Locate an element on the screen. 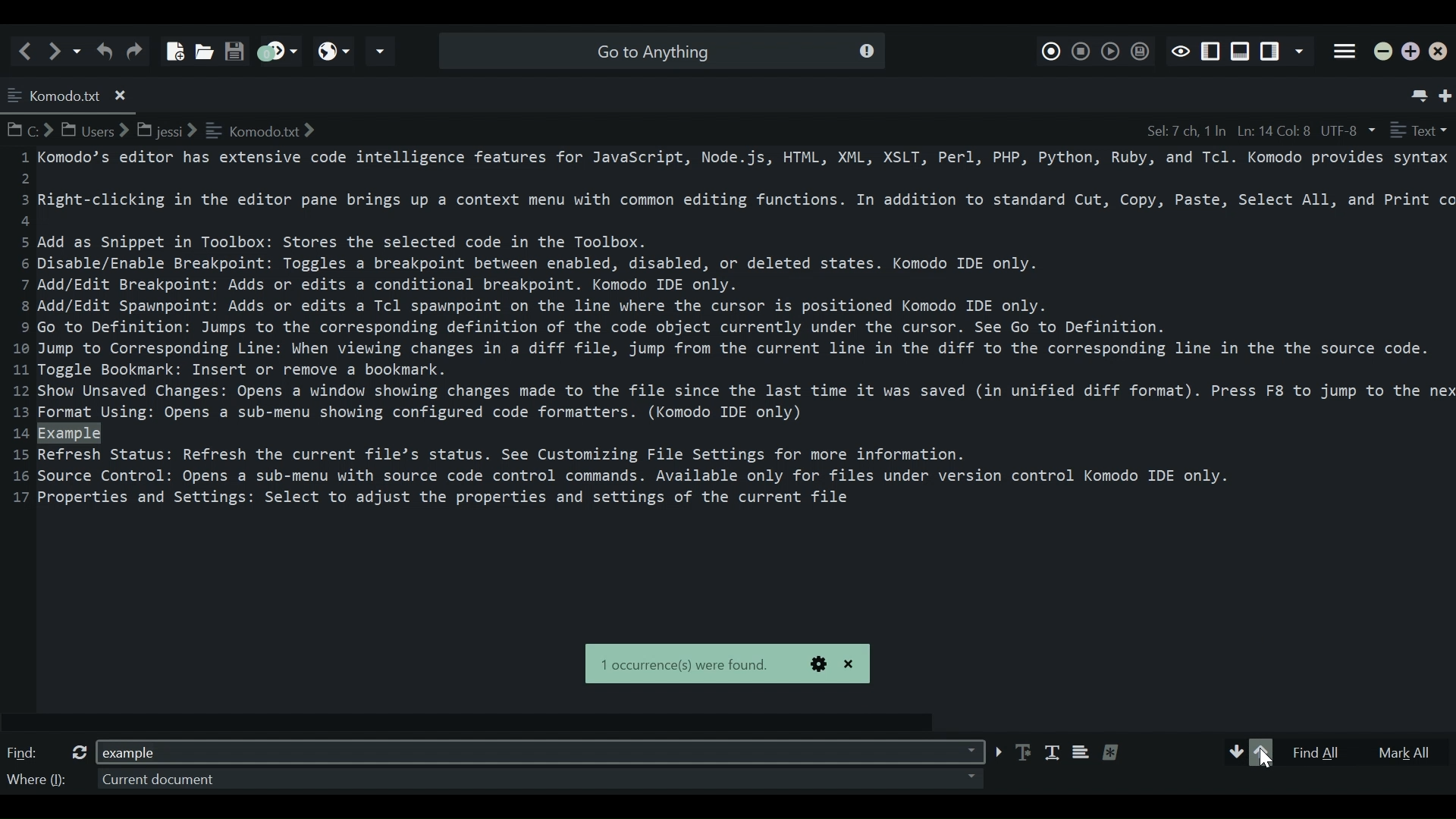  Show/Hide Right Pane is located at coordinates (1211, 52).